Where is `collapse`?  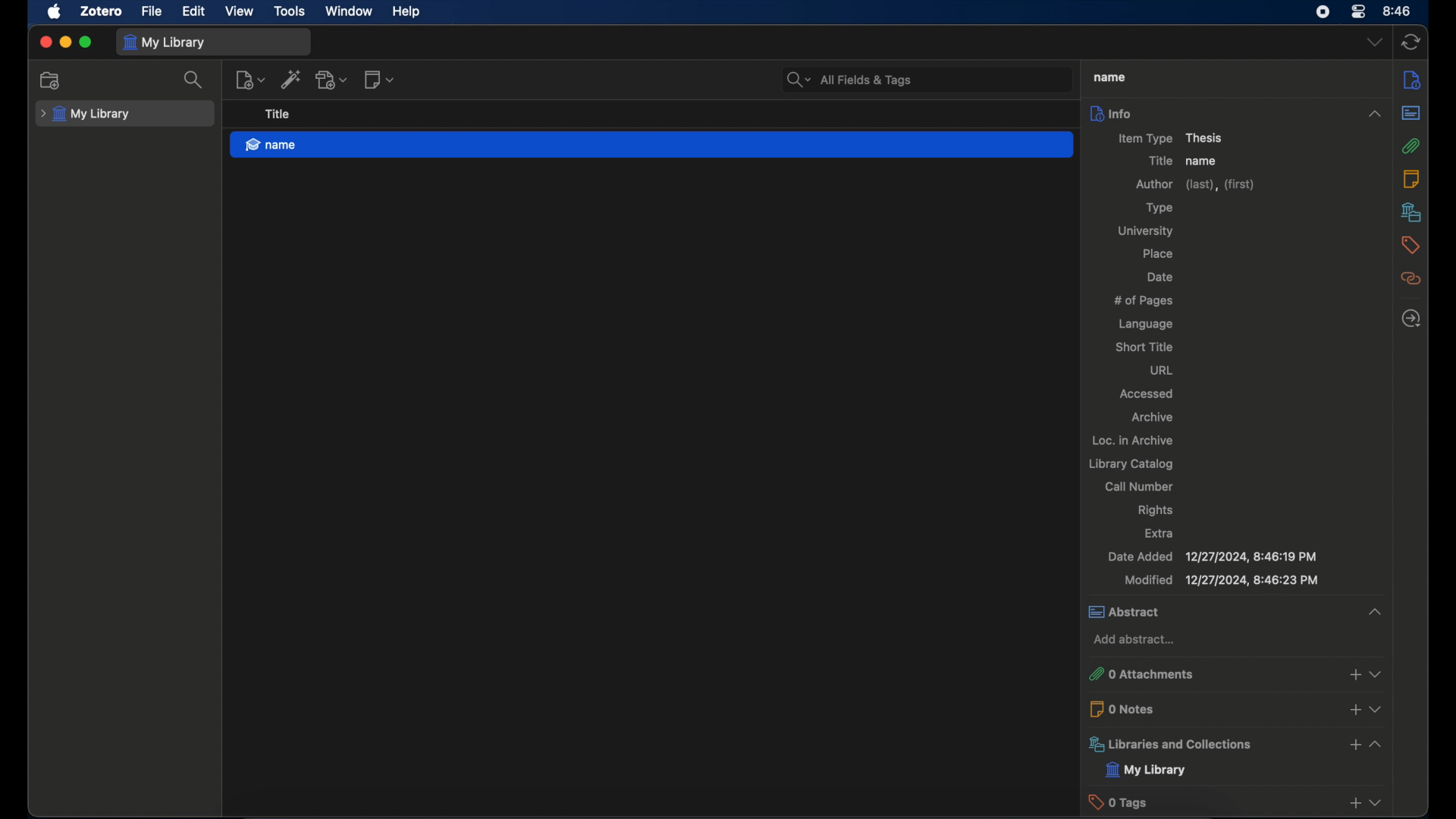
collapse is located at coordinates (1376, 114).